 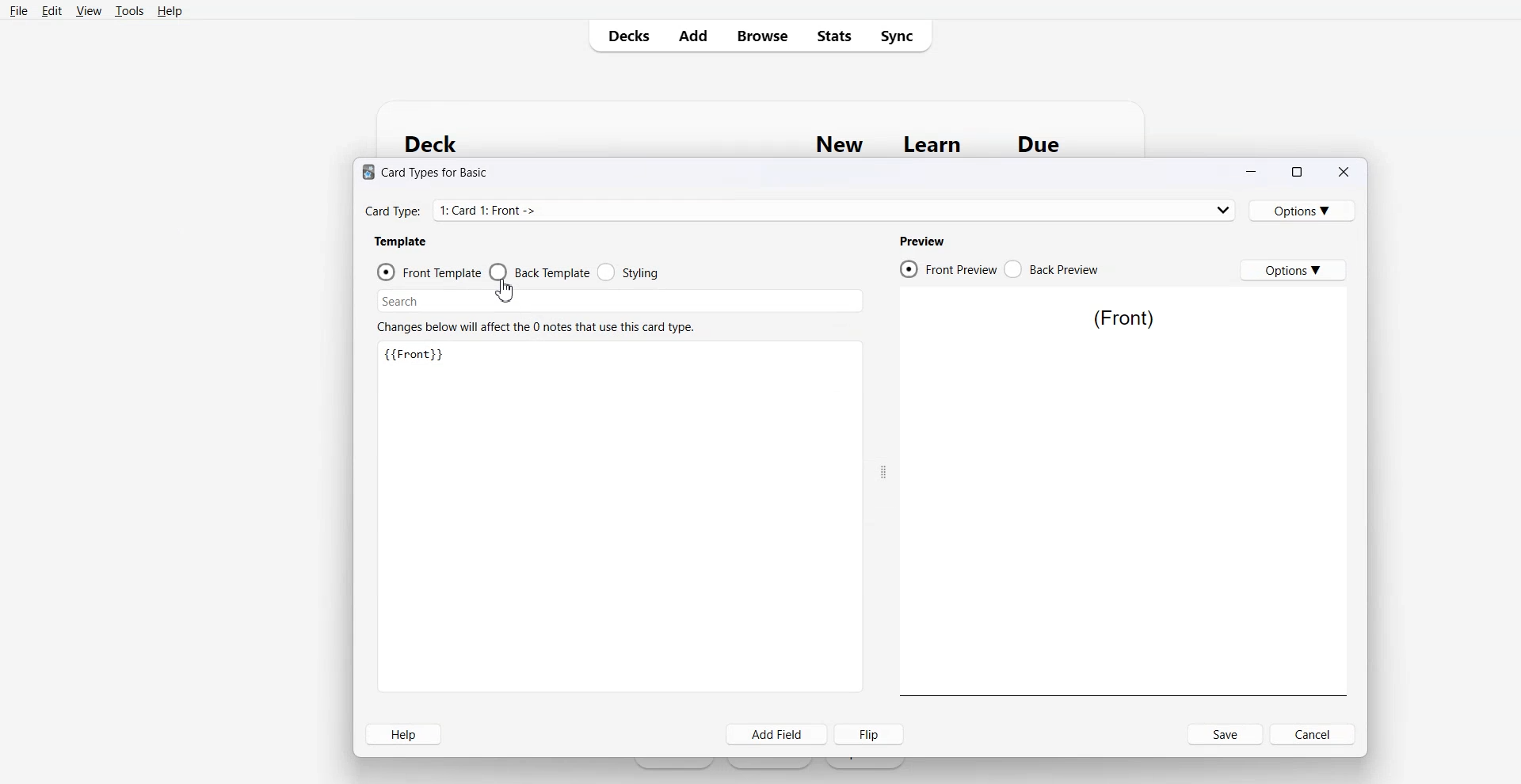 What do you see at coordinates (420, 356) in the screenshot?
I see `{{Front}}` at bounding box center [420, 356].